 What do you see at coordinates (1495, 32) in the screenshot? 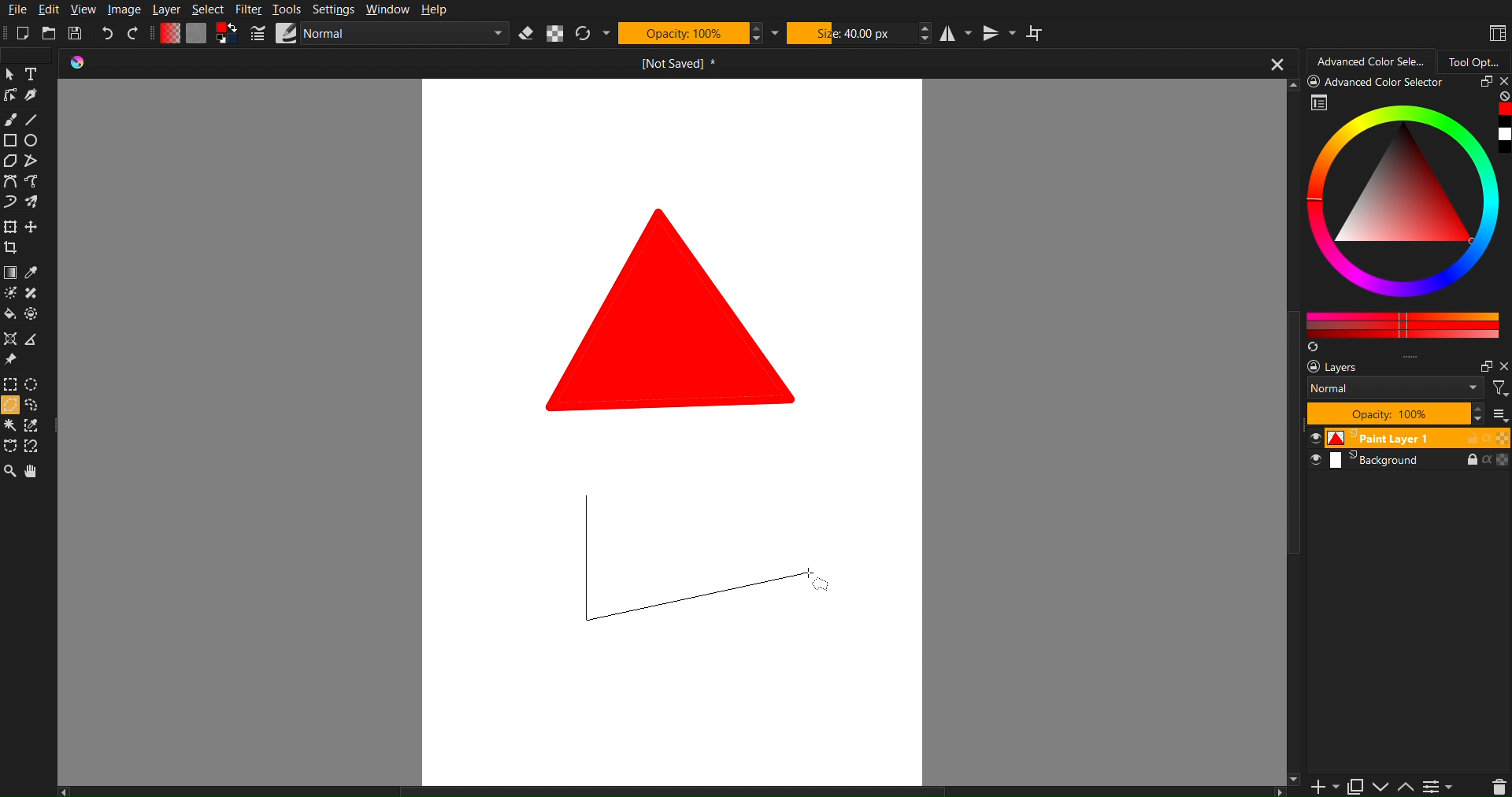
I see `Workspaces` at bounding box center [1495, 32].